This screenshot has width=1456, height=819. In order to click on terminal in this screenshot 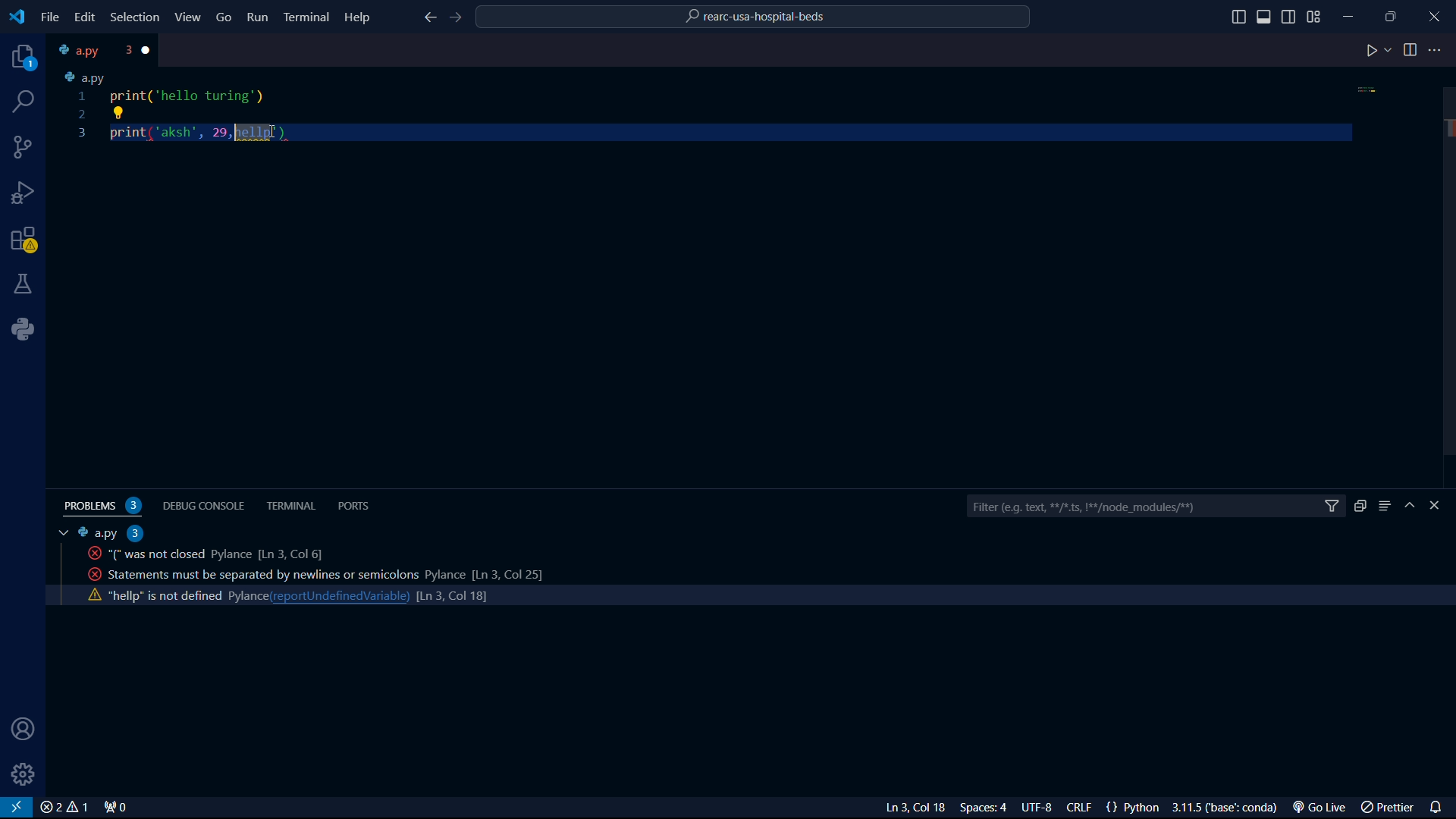, I will do `click(292, 506)`.